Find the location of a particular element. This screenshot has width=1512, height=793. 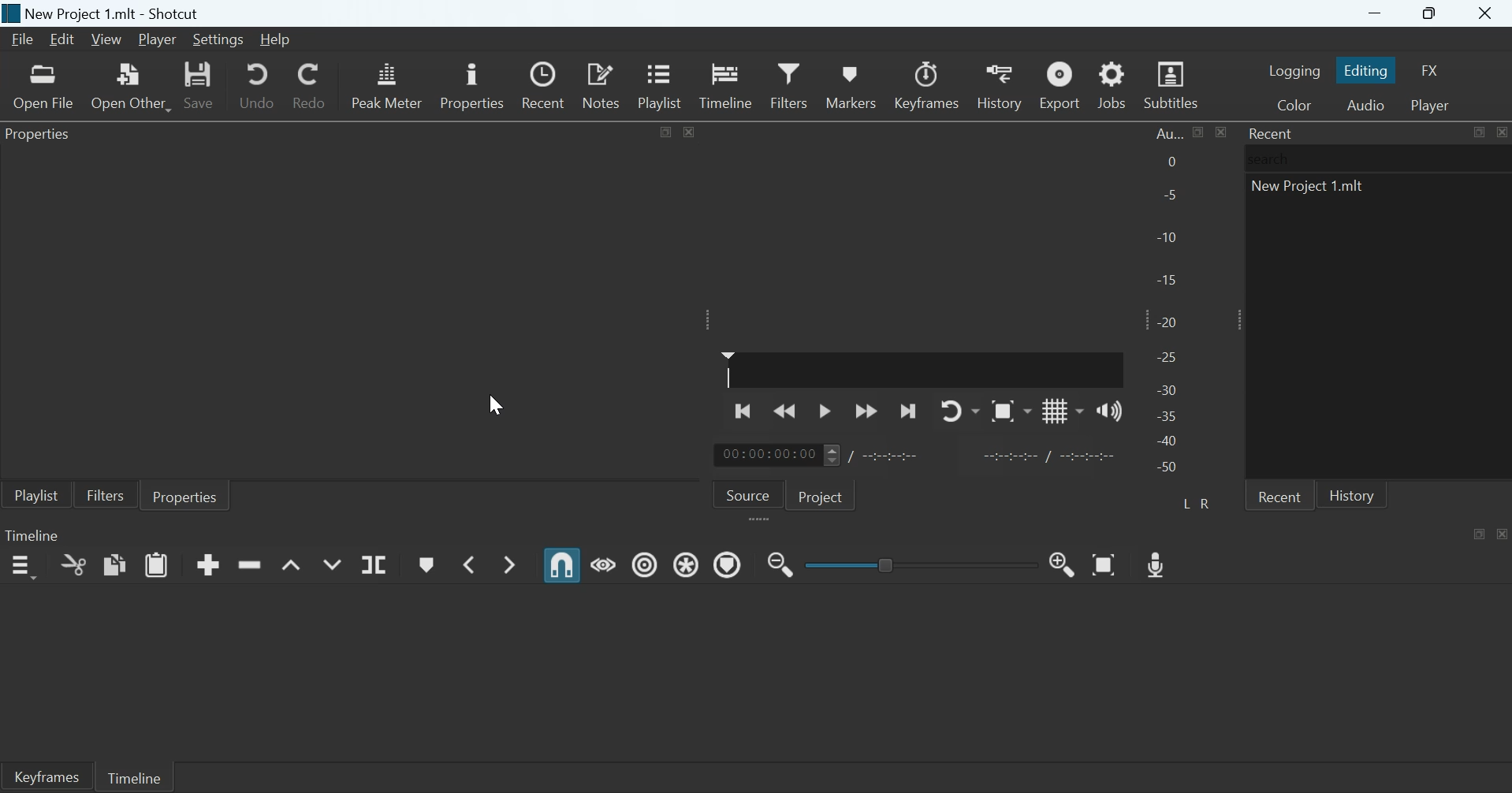

Split at payhead is located at coordinates (375, 565).